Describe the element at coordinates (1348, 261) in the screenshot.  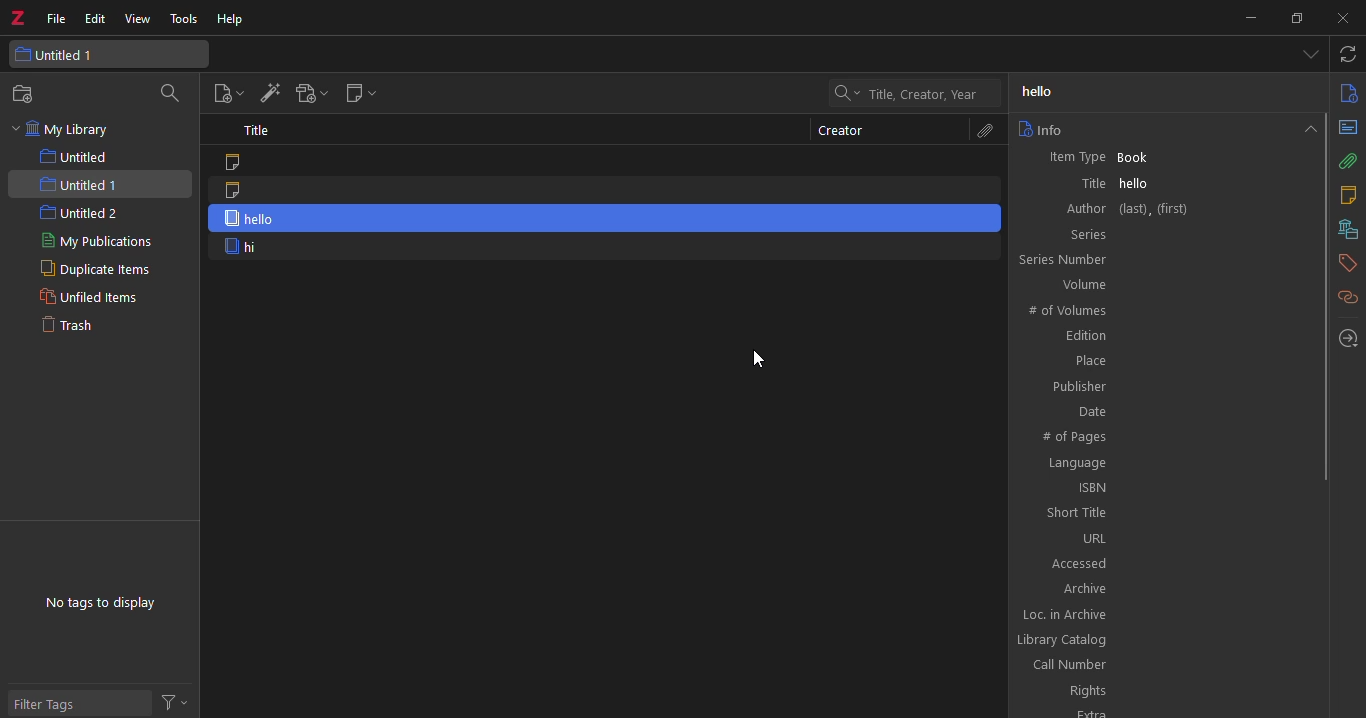
I see `tags` at that location.